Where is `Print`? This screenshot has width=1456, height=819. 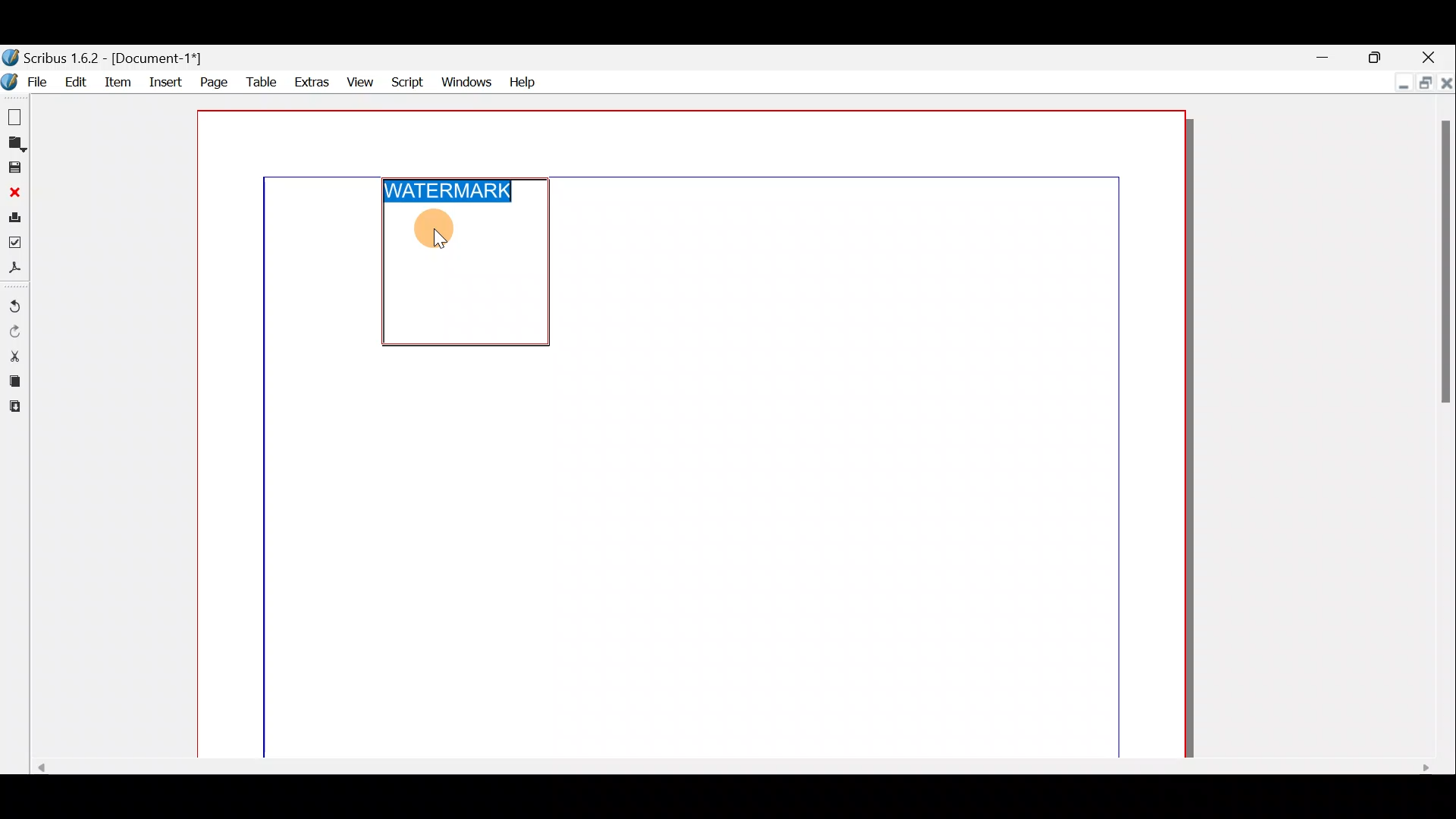
Print is located at coordinates (14, 220).